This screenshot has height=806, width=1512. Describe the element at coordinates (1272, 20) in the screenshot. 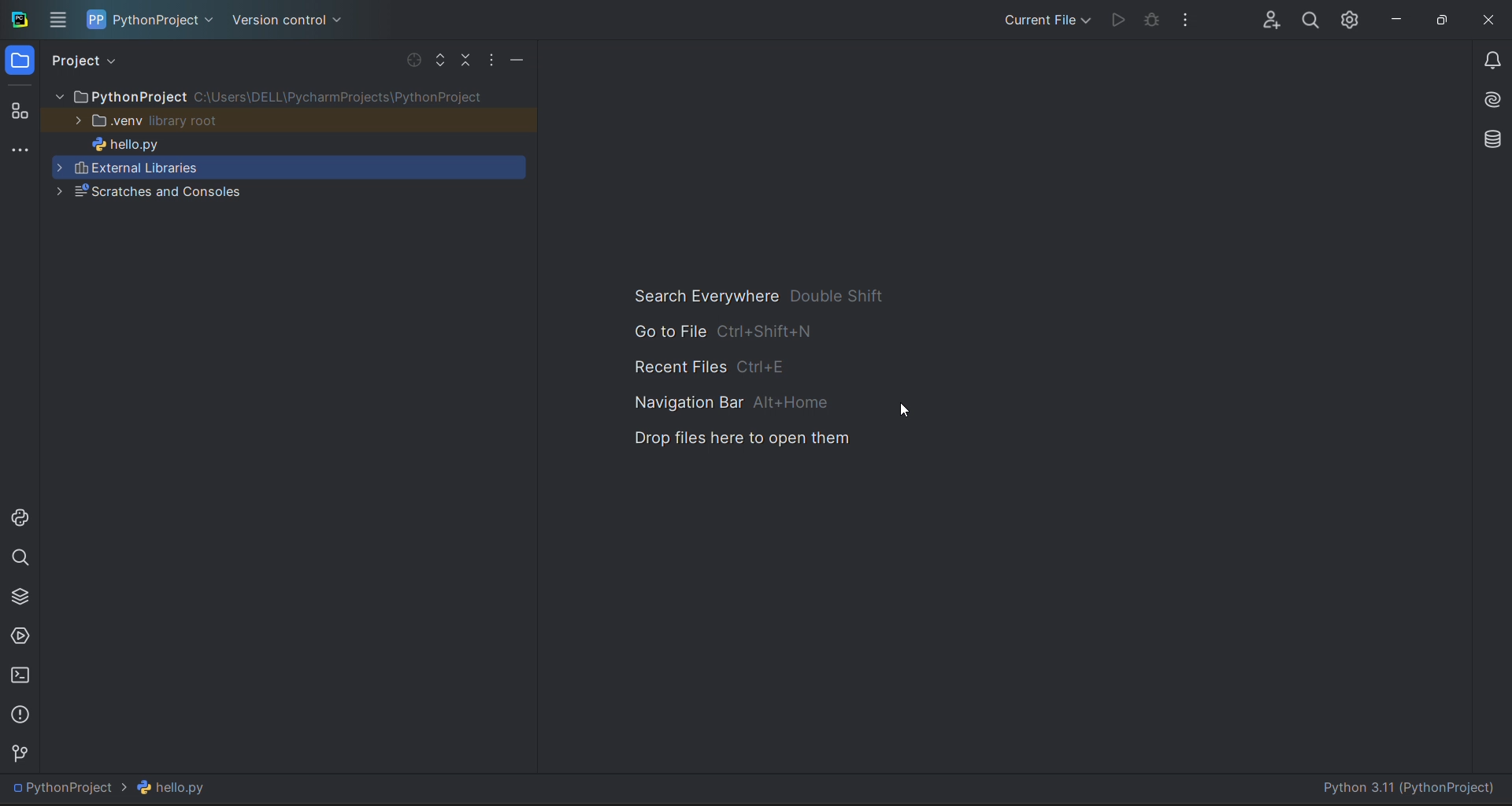

I see `collab` at that location.